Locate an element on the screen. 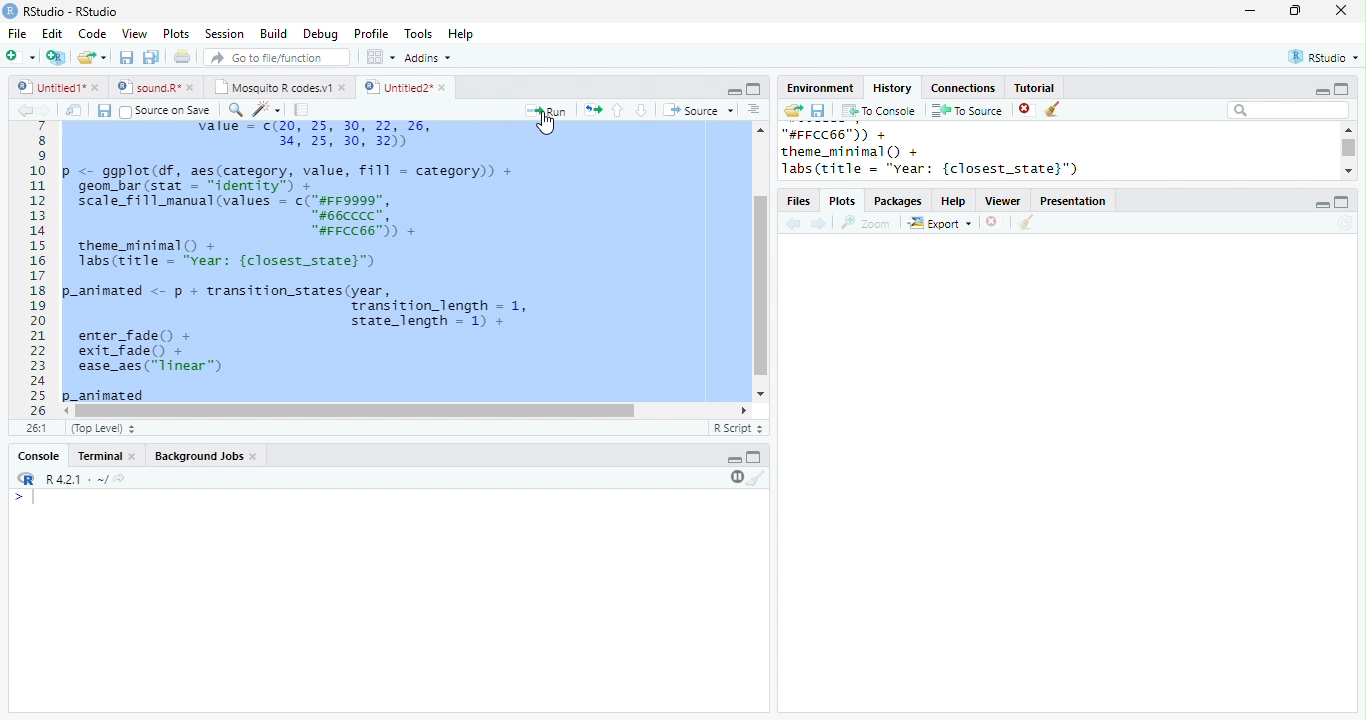 This screenshot has height=720, width=1366. Source on Save is located at coordinates (165, 111).